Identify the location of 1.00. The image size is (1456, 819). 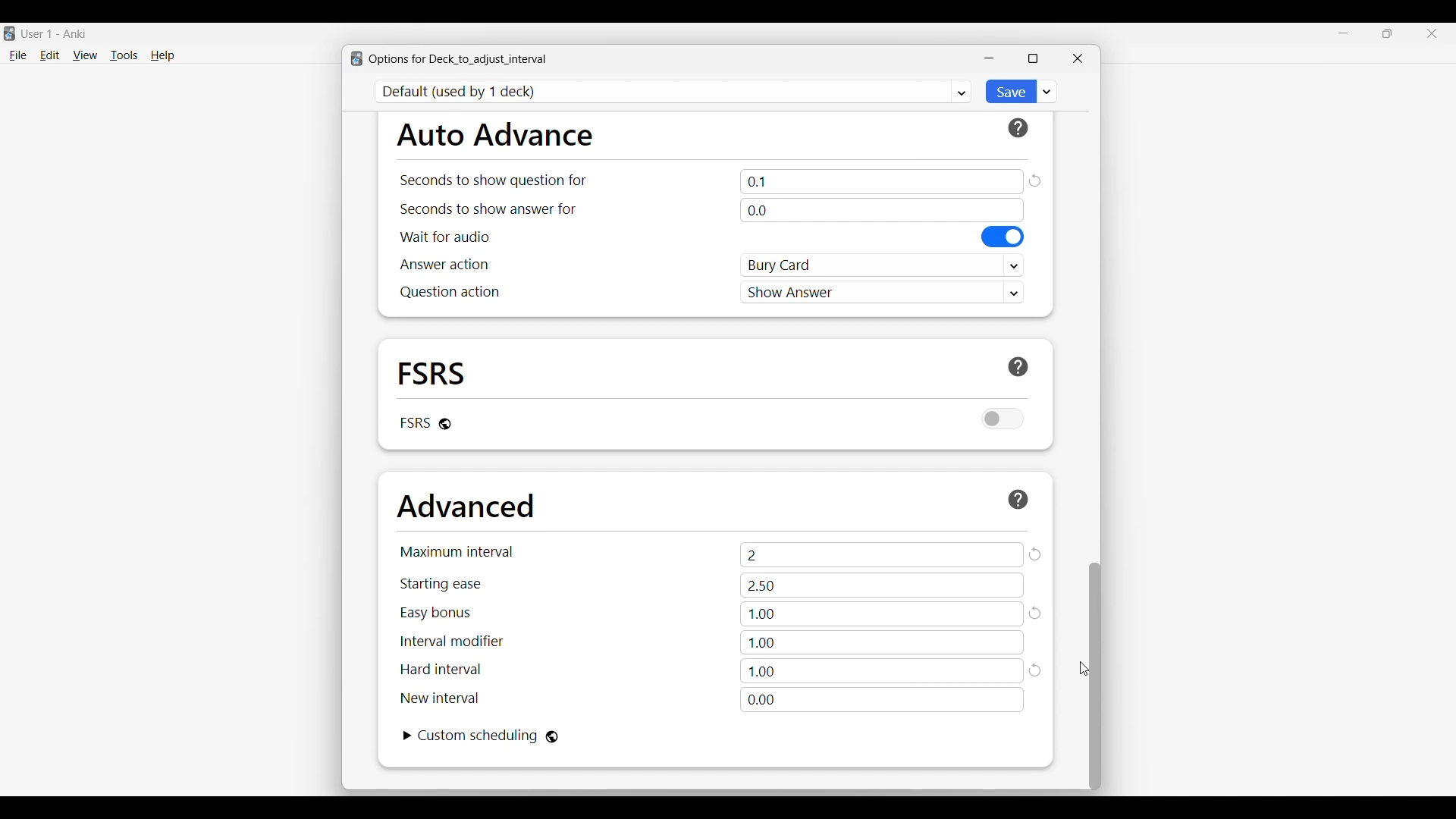
(882, 671).